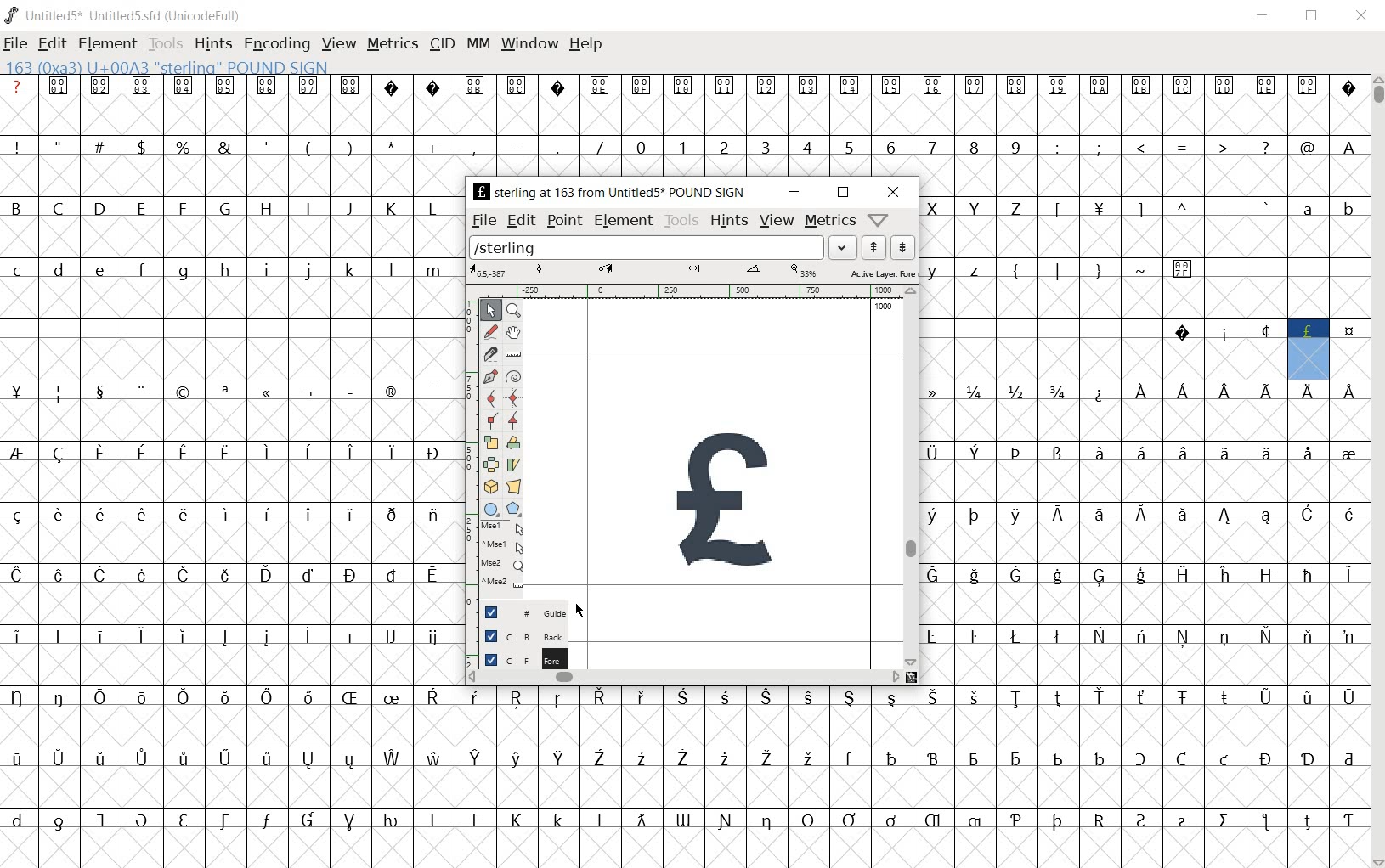  I want to click on Symbol, so click(267, 696).